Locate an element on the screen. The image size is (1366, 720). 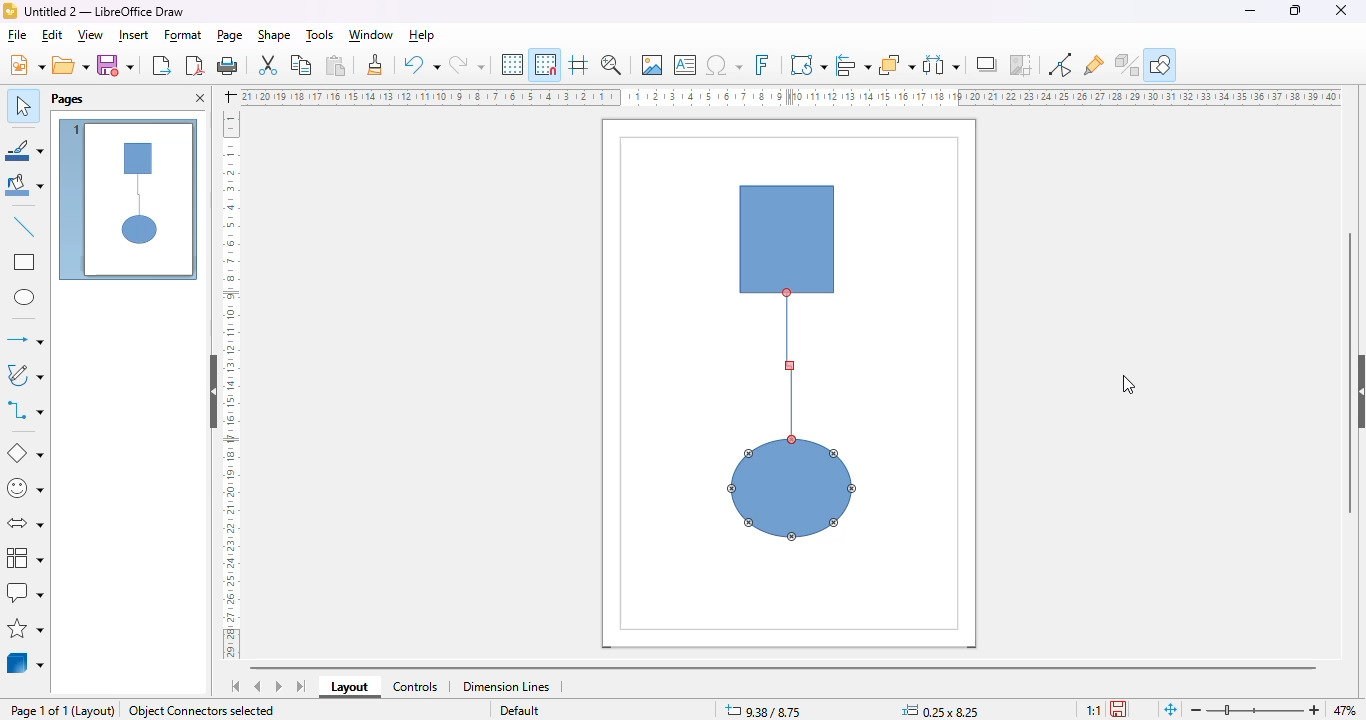
insert line is located at coordinates (25, 226).